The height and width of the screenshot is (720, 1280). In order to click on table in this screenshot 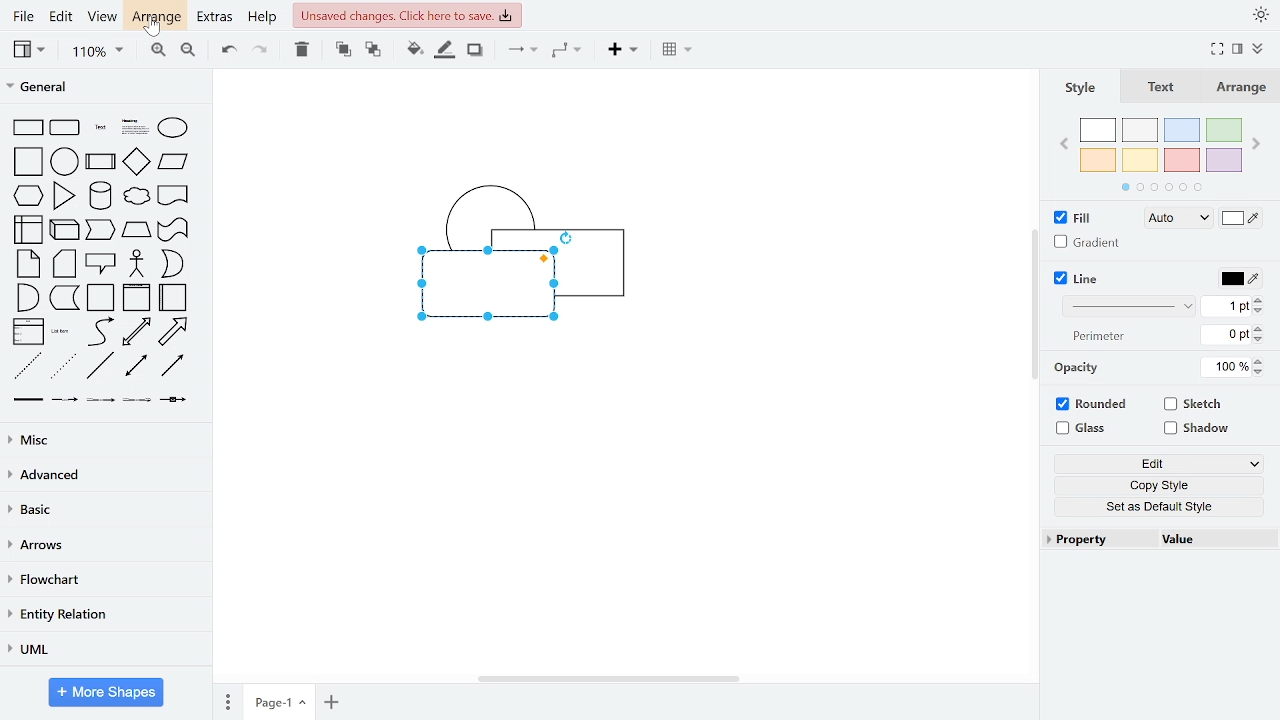, I will do `click(680, 52)`.